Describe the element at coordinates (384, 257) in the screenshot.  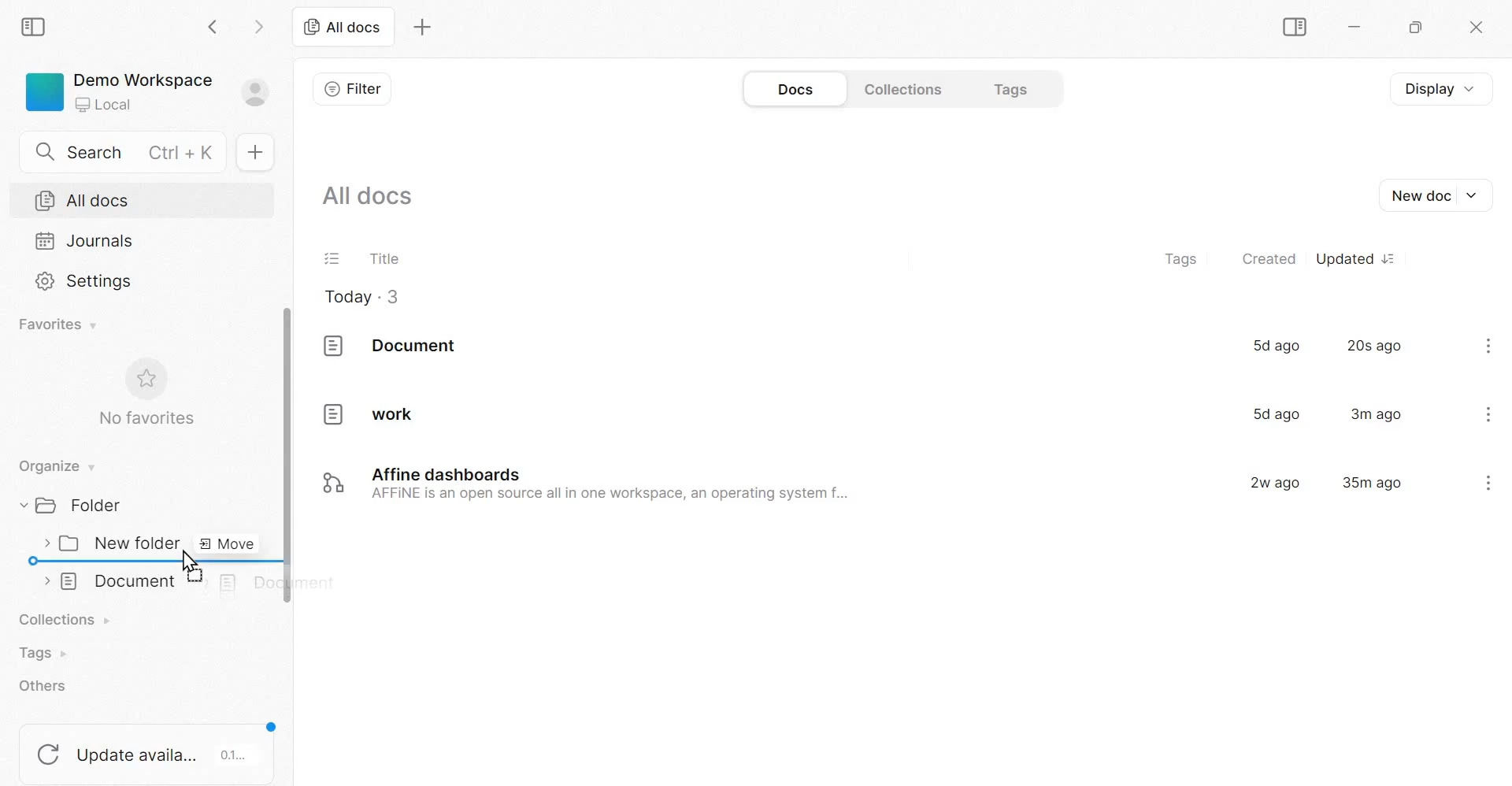
I see `Title` at that location.